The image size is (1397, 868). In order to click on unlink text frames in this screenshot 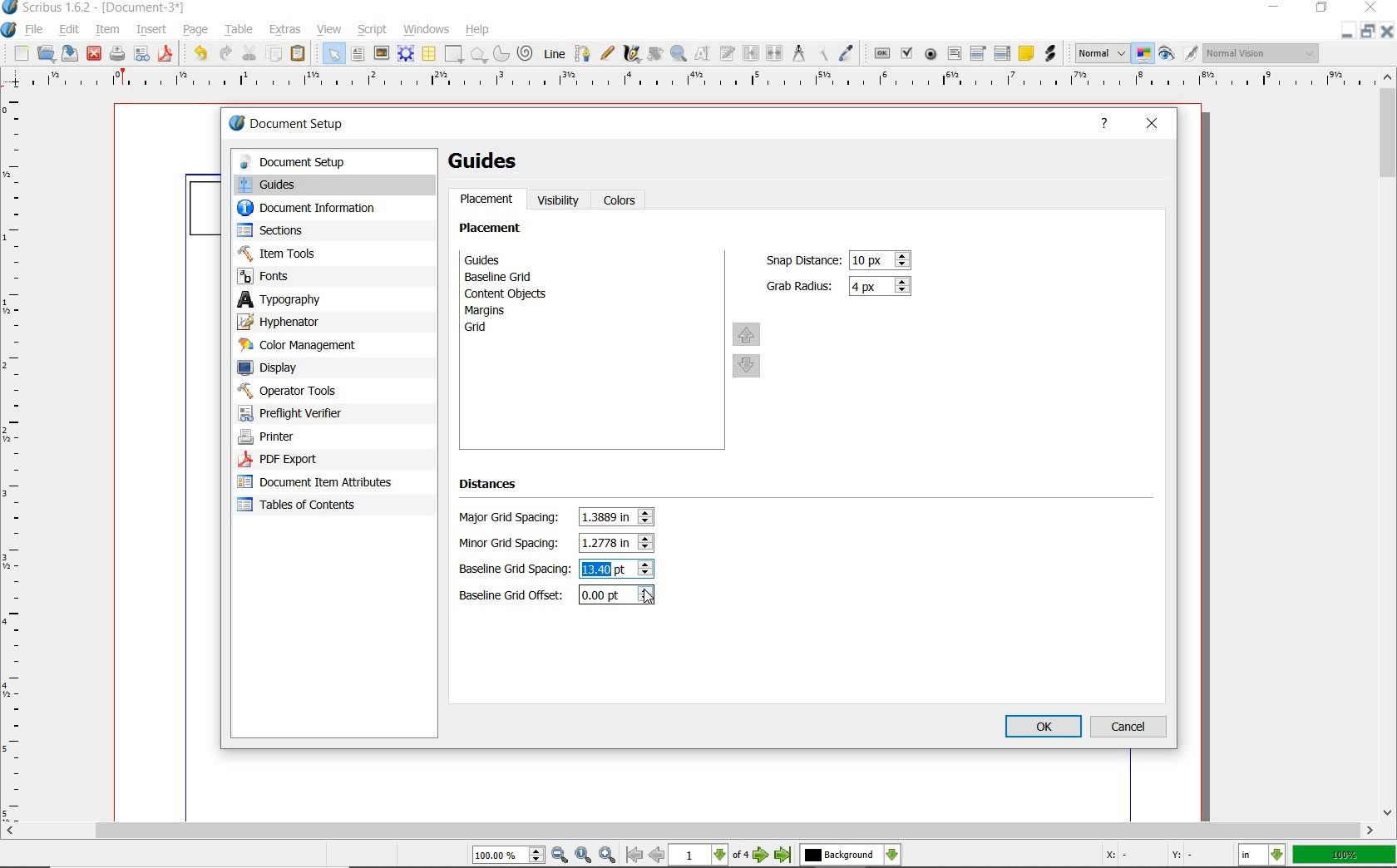, I will do `click(773, 52)`.